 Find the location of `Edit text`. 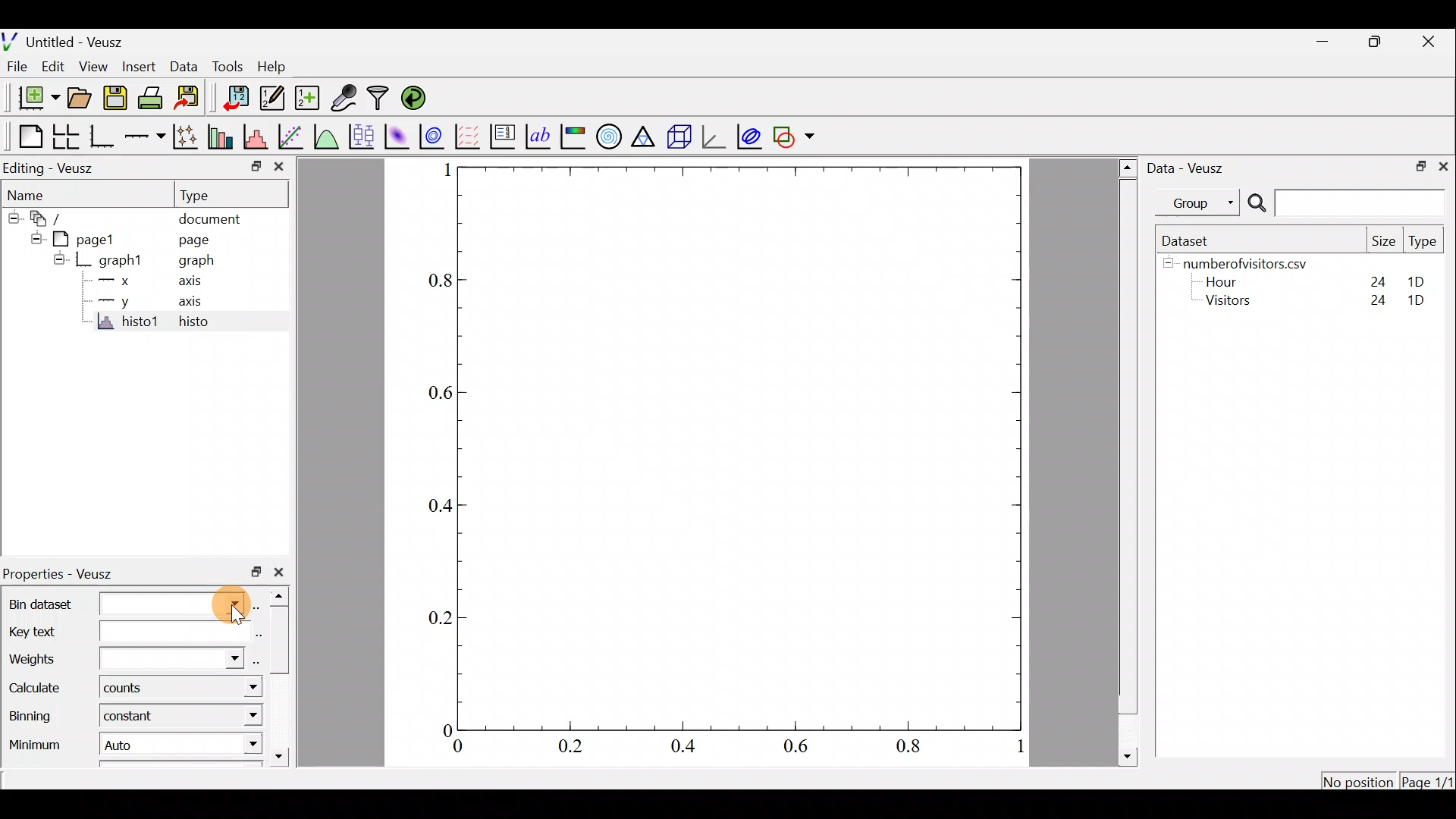

Edit text is located at coordinates (258, 635).